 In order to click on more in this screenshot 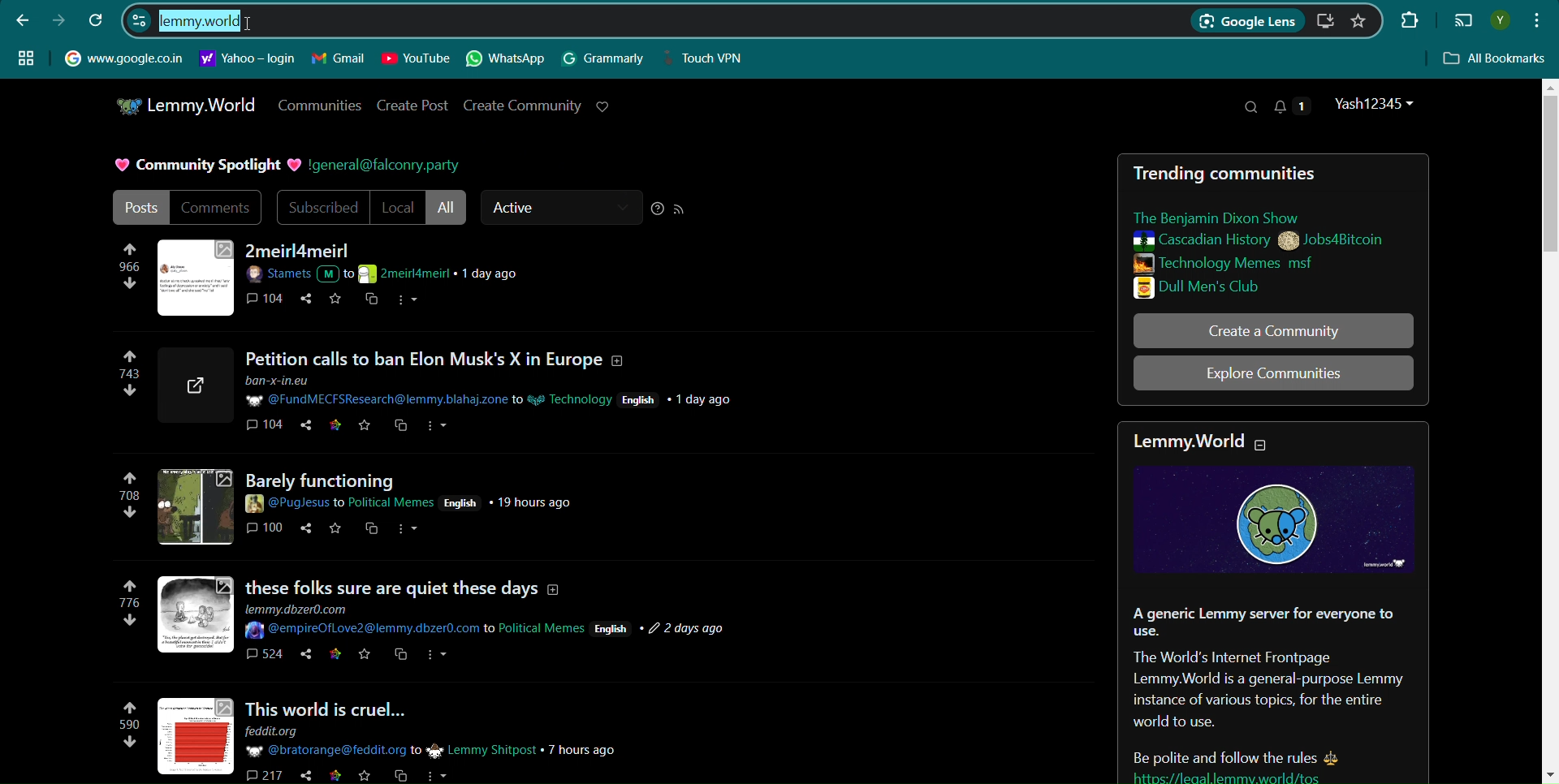, I will do `click(438, 660)`.